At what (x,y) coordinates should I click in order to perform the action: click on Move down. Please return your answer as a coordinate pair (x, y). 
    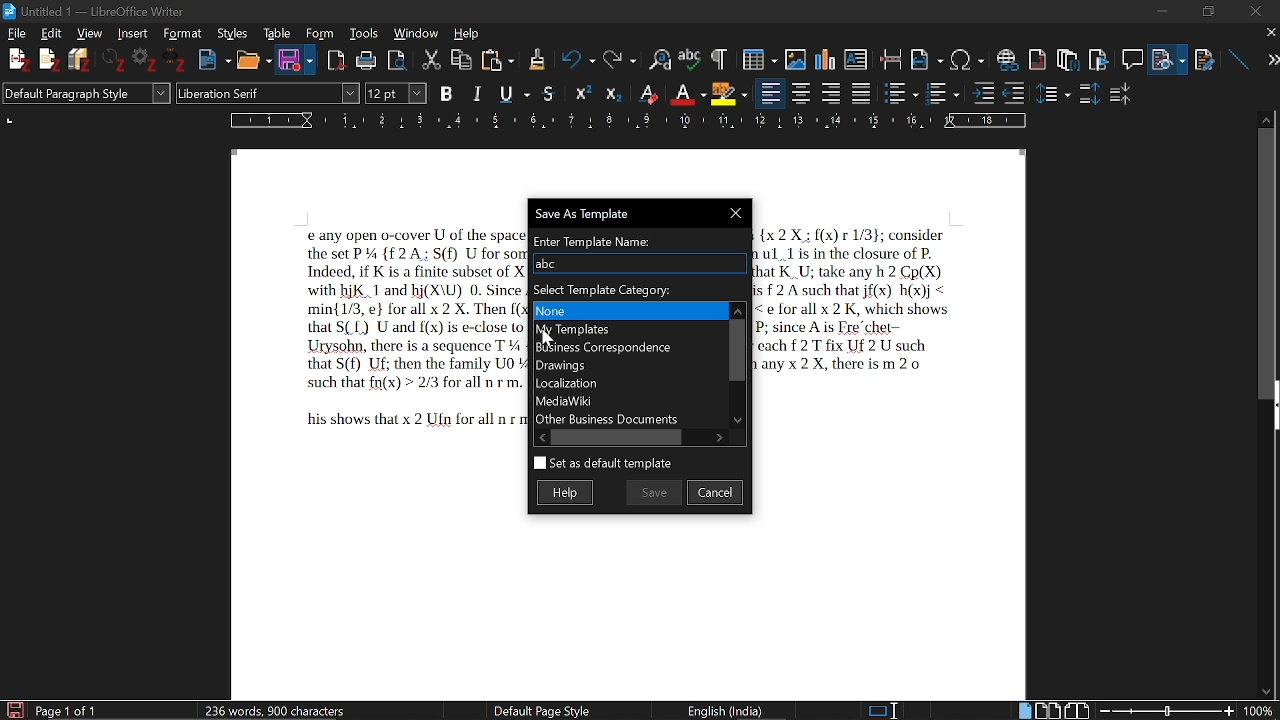
    Looking at the image, I should click on (740, 421).